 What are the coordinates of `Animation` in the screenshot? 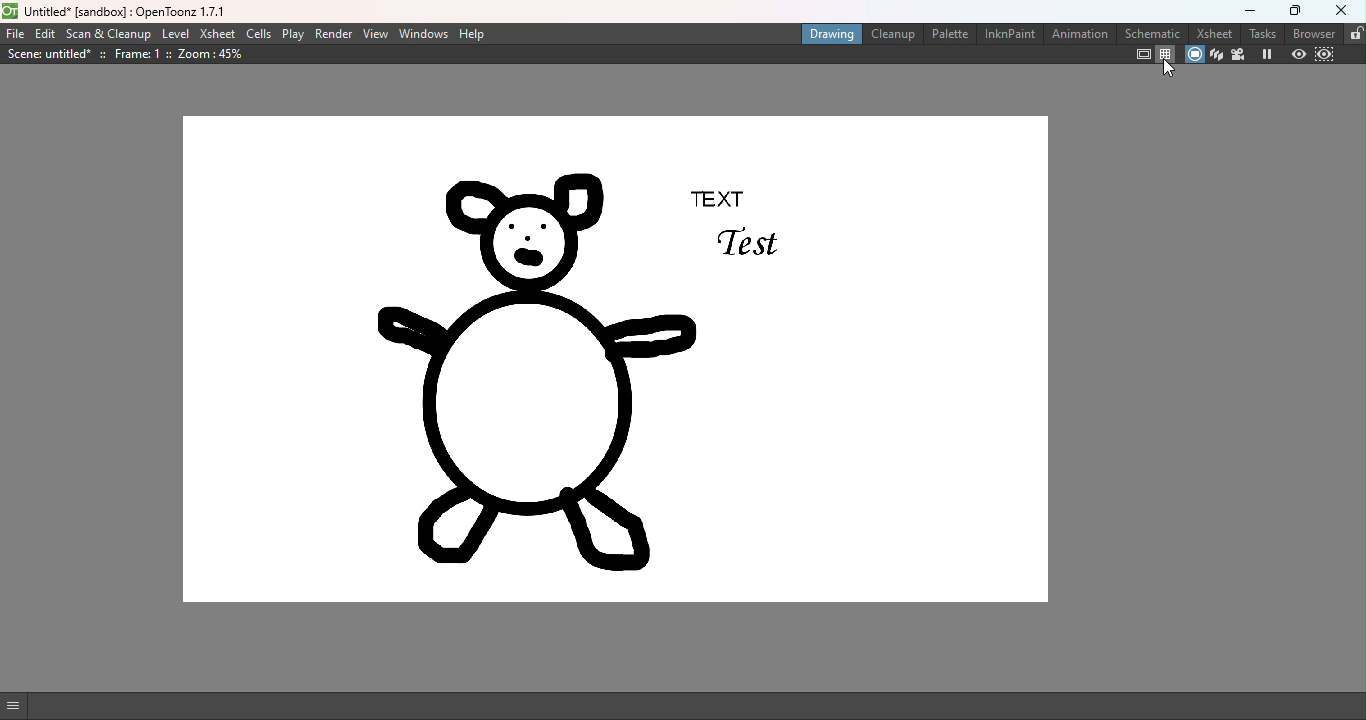 It's located at (1078, 34).